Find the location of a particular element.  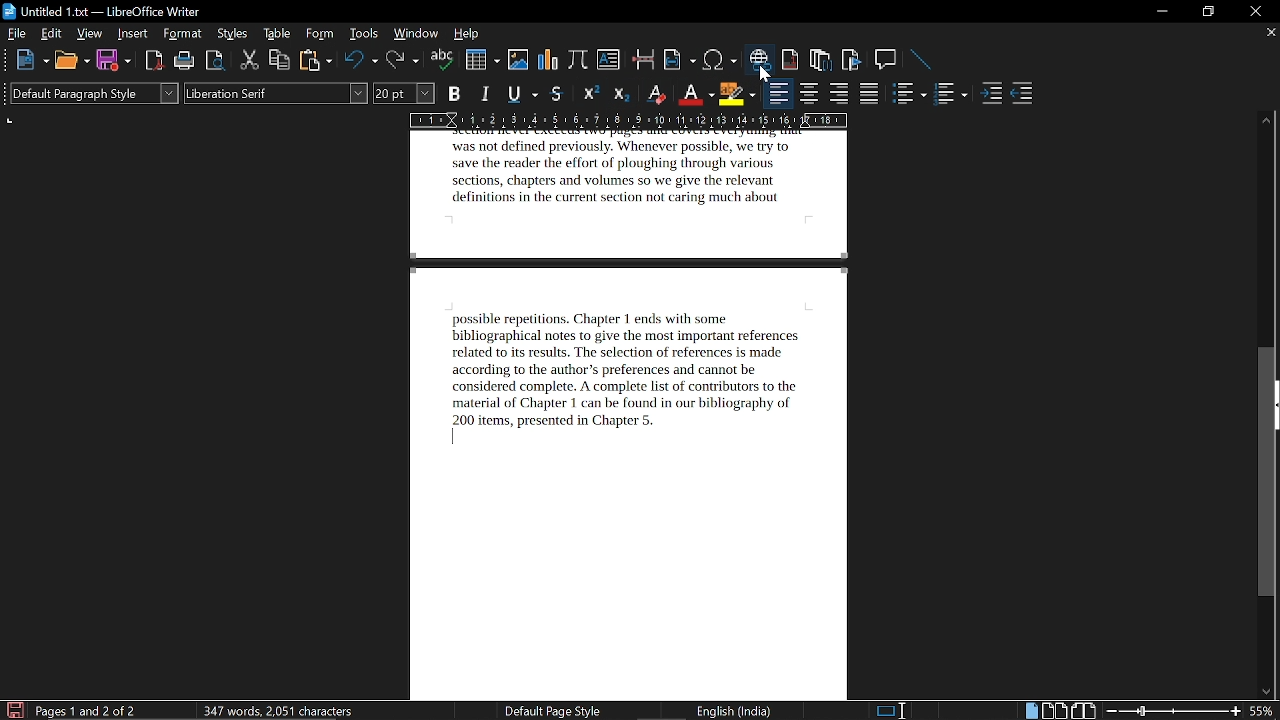

font size is located at coordinates (405, 93).